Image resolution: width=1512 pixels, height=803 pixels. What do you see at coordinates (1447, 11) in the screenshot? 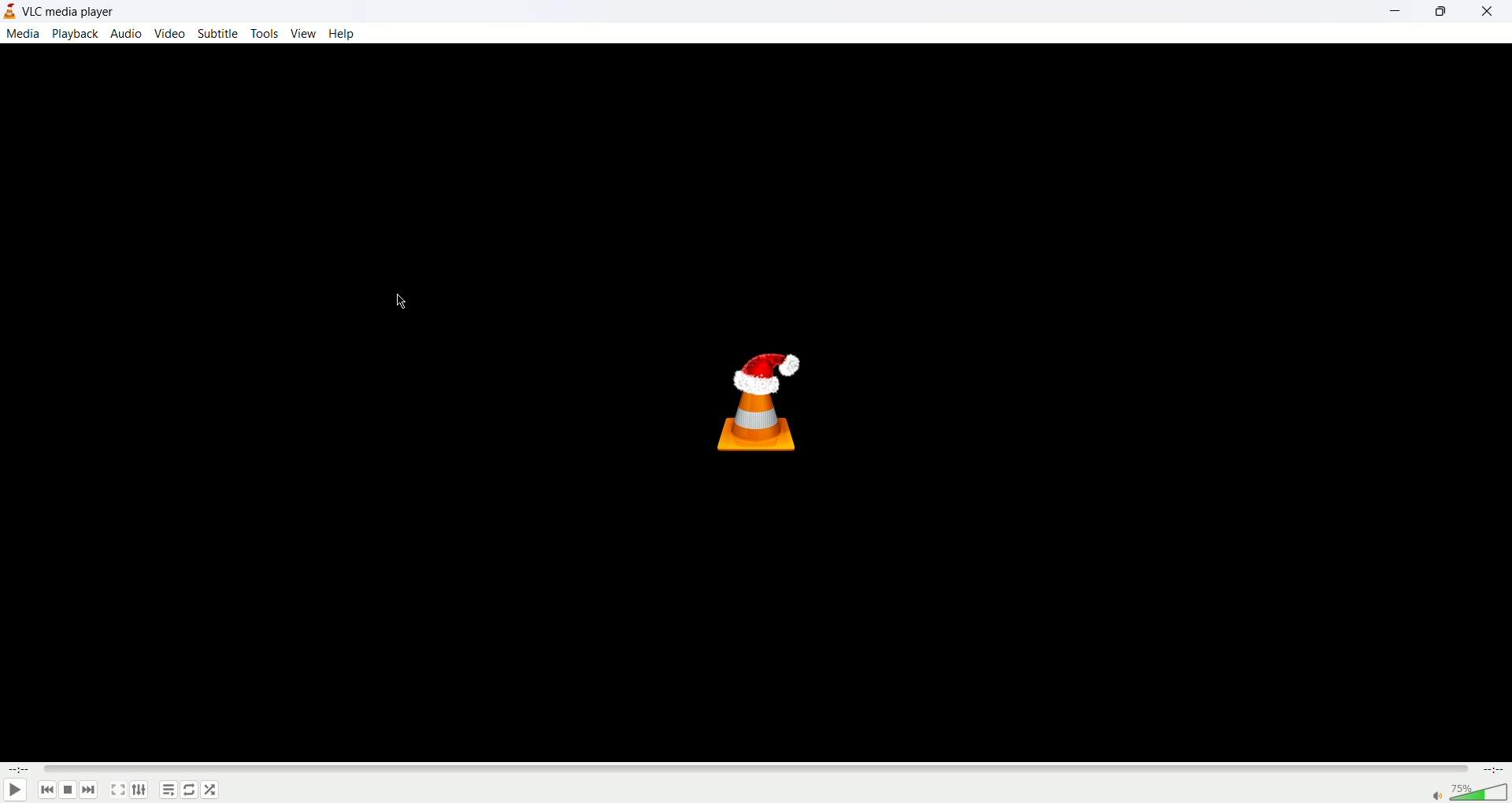
I see `maximize` at bounding box center [1447, 11].